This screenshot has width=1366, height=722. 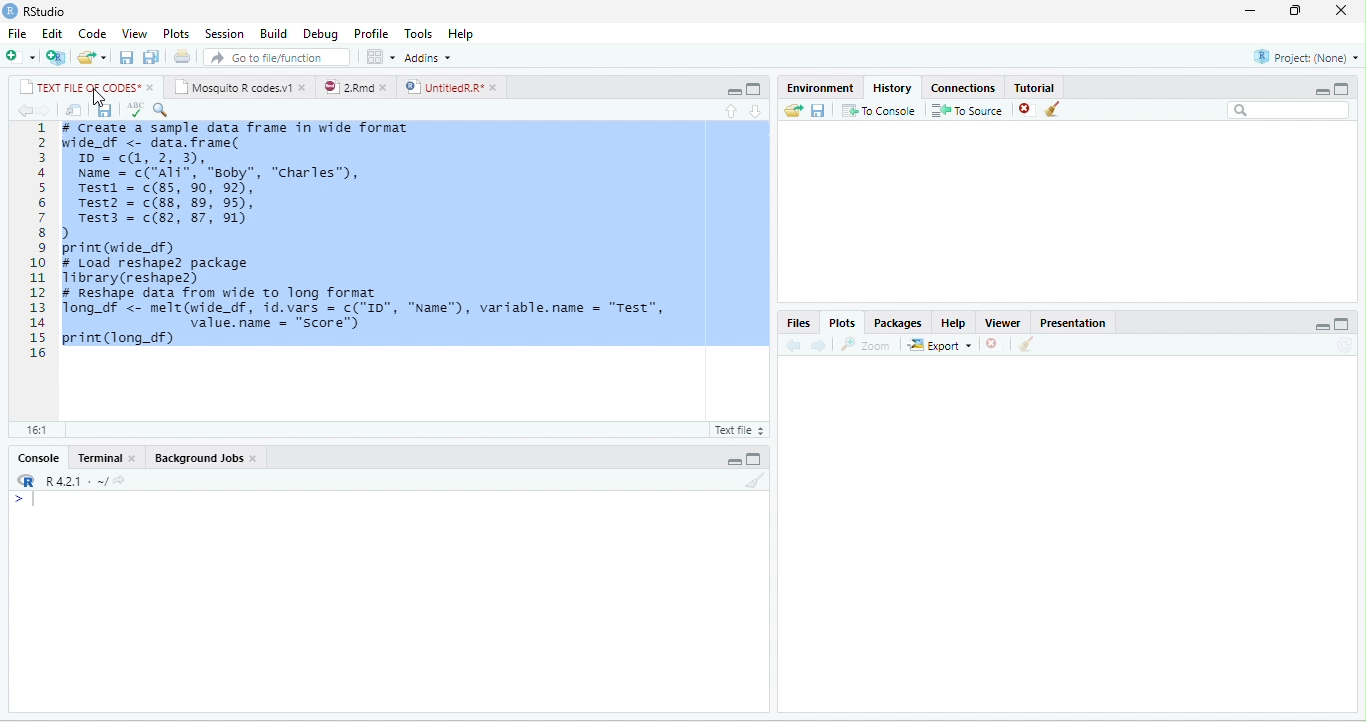 What do you see at coordinates (1003, 323) in the screenshot?
I see `Viewer` at bounding box center [1003, 323].